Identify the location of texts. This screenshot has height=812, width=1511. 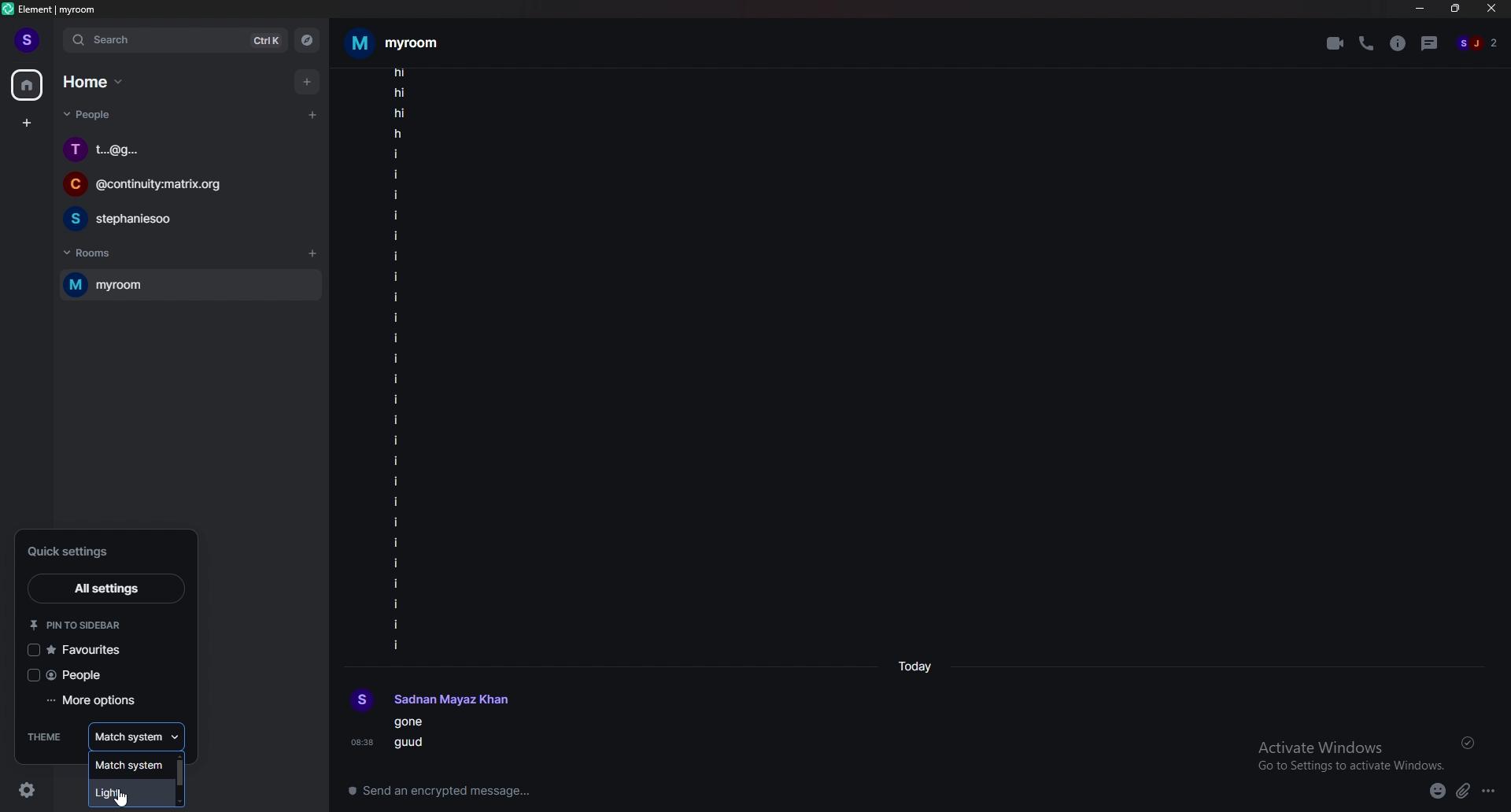
(397, 359).